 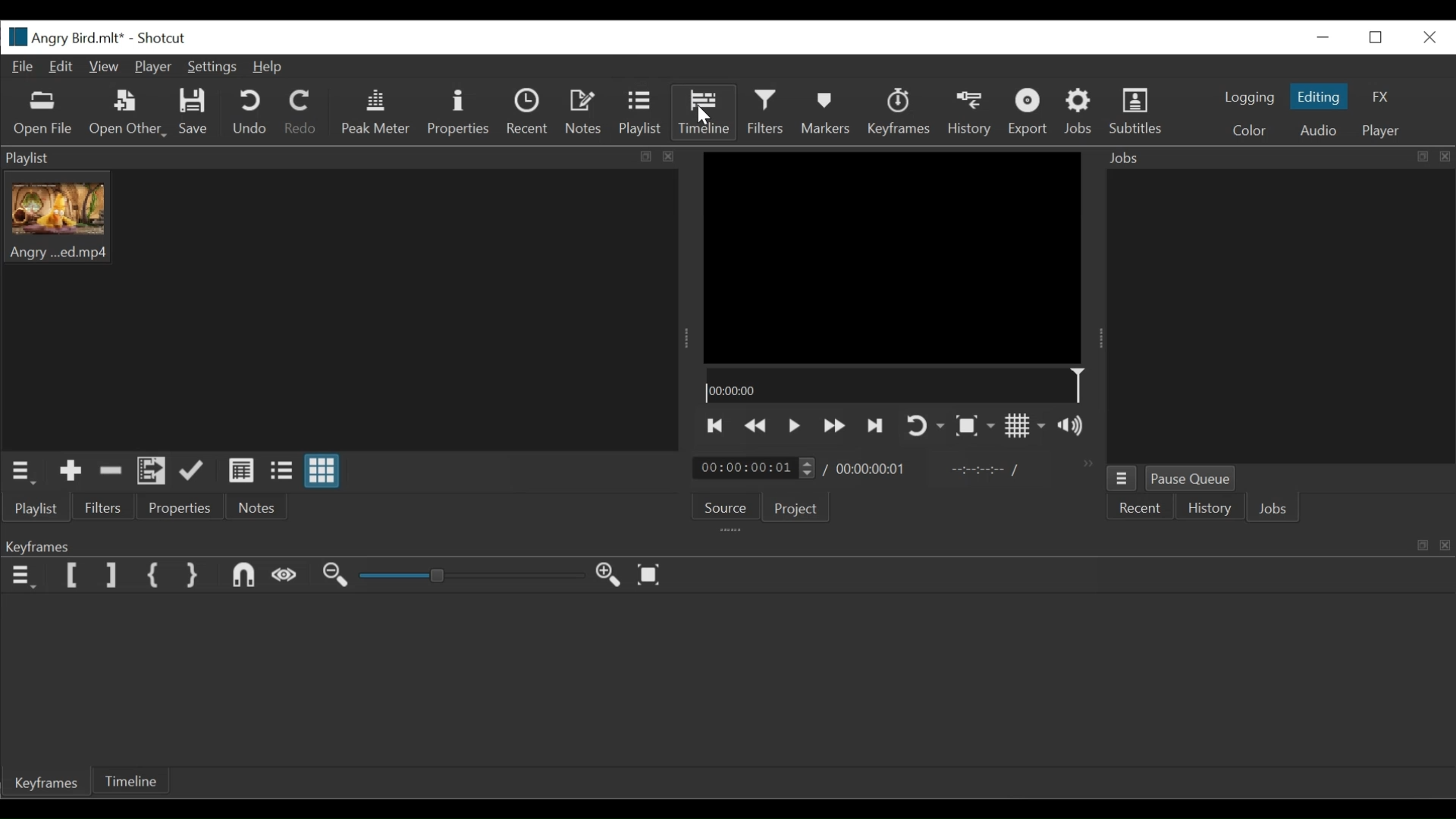 I want to click on Peak Meter, so click(x=374, y=112).